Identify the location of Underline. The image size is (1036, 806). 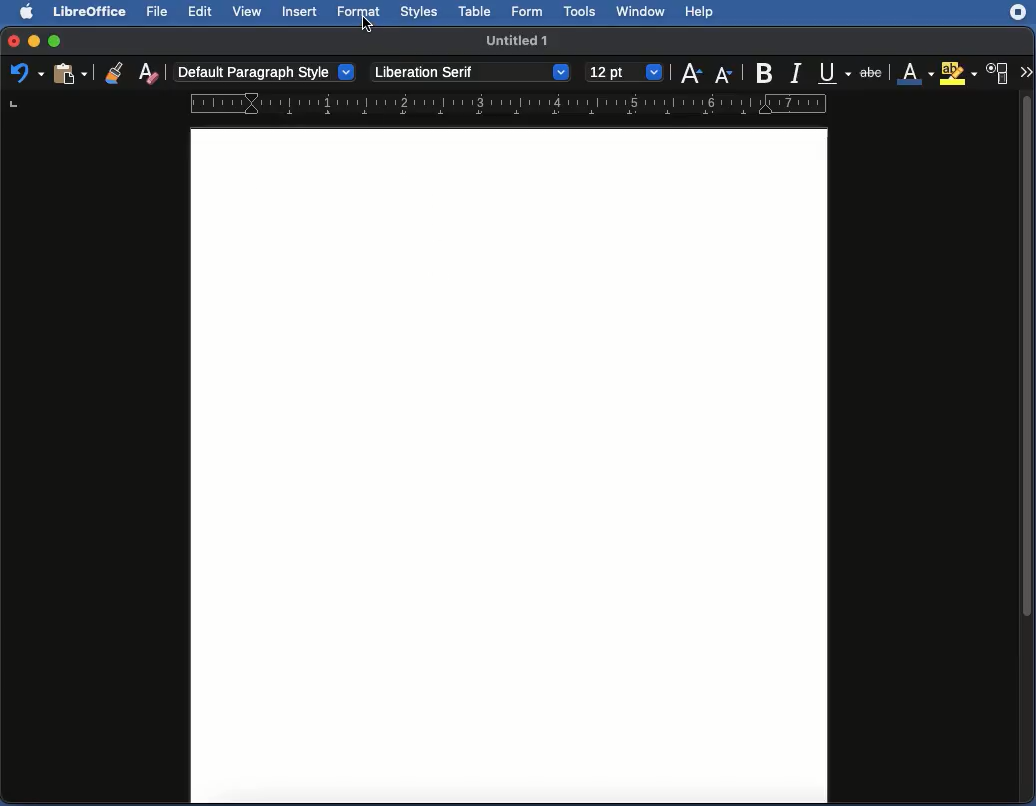
(831, 72).